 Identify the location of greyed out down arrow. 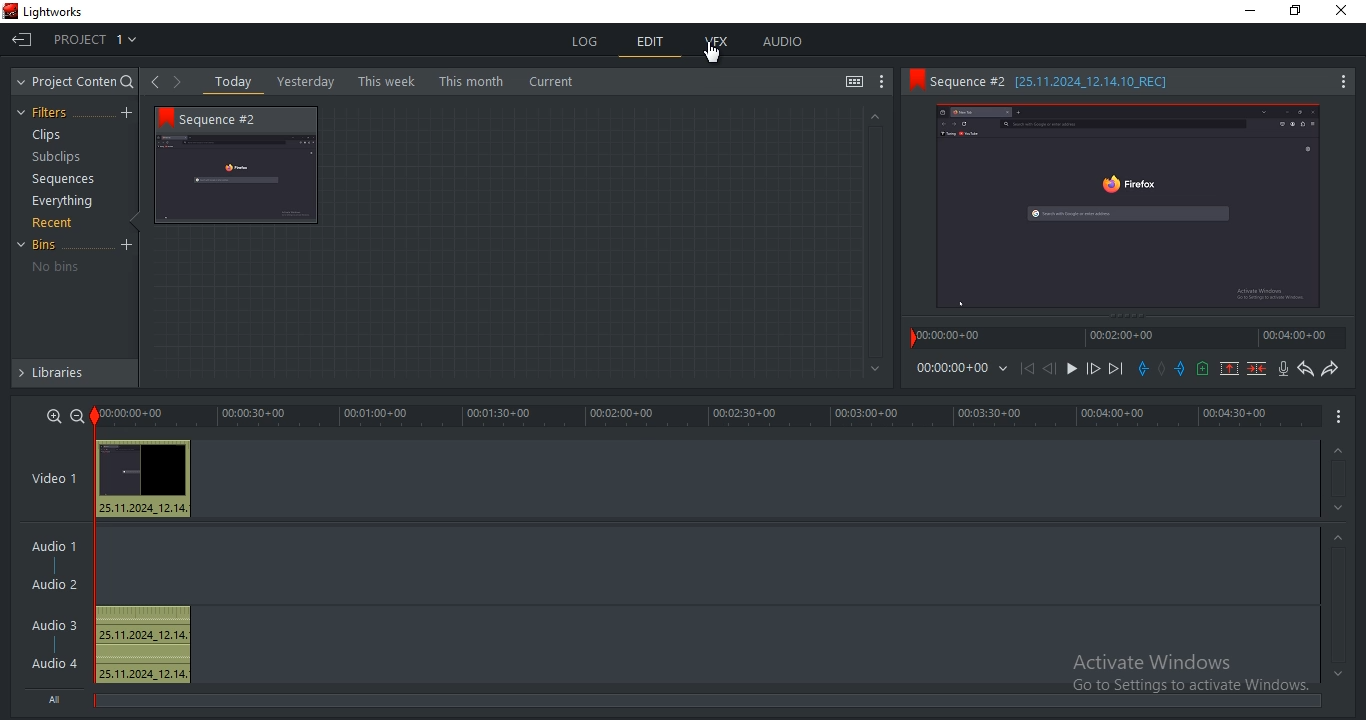
(1339, 668).